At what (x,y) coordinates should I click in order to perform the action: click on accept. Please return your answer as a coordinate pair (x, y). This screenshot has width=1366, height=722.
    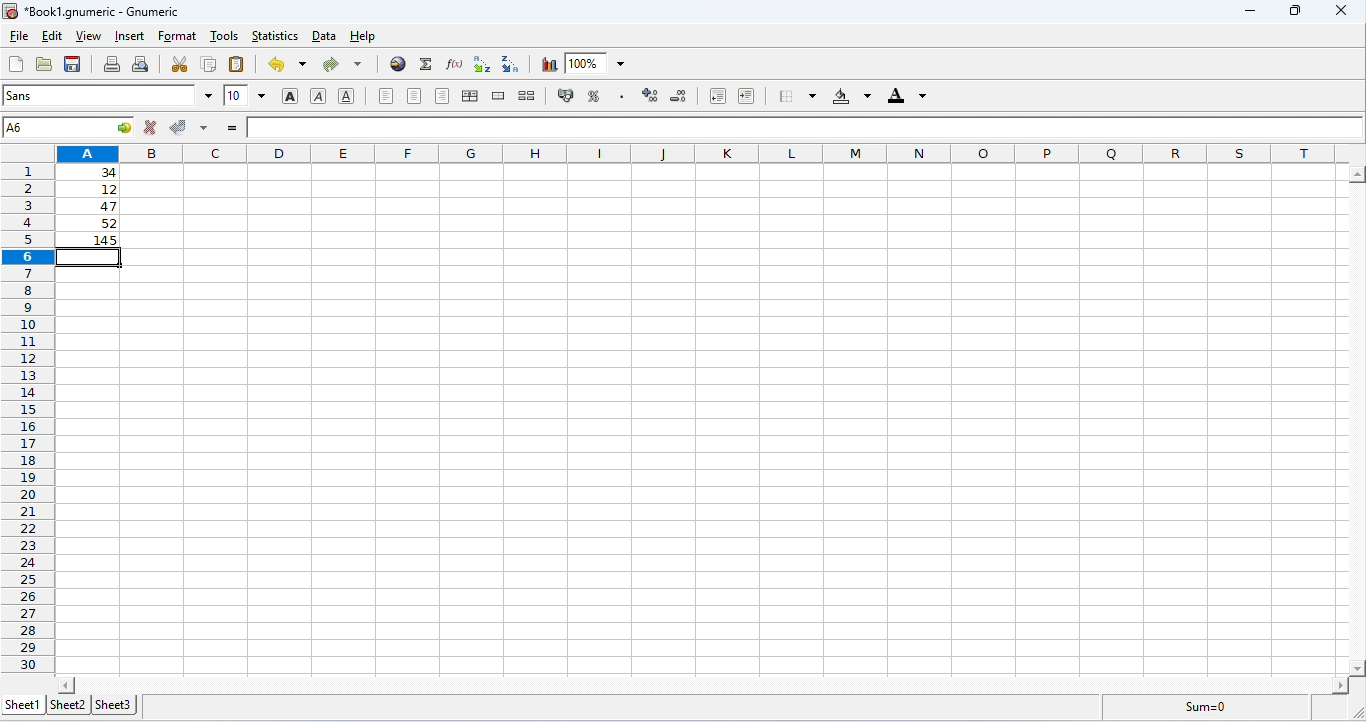
    Looking at the image, I should click on (190, 127).